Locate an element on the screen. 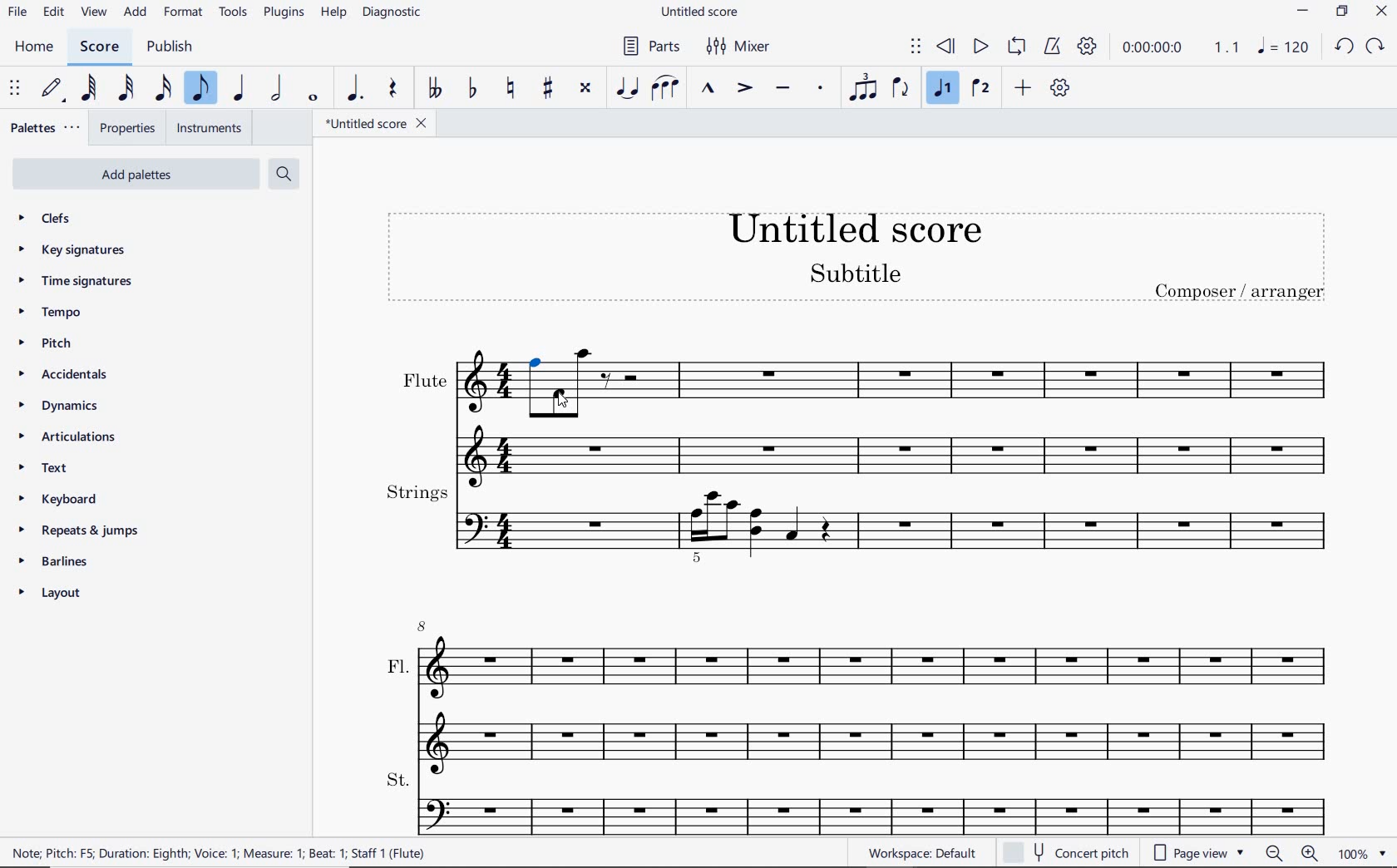 The width and height of the screenshot is (1397, 868). file is located at coordinates (16, 13).